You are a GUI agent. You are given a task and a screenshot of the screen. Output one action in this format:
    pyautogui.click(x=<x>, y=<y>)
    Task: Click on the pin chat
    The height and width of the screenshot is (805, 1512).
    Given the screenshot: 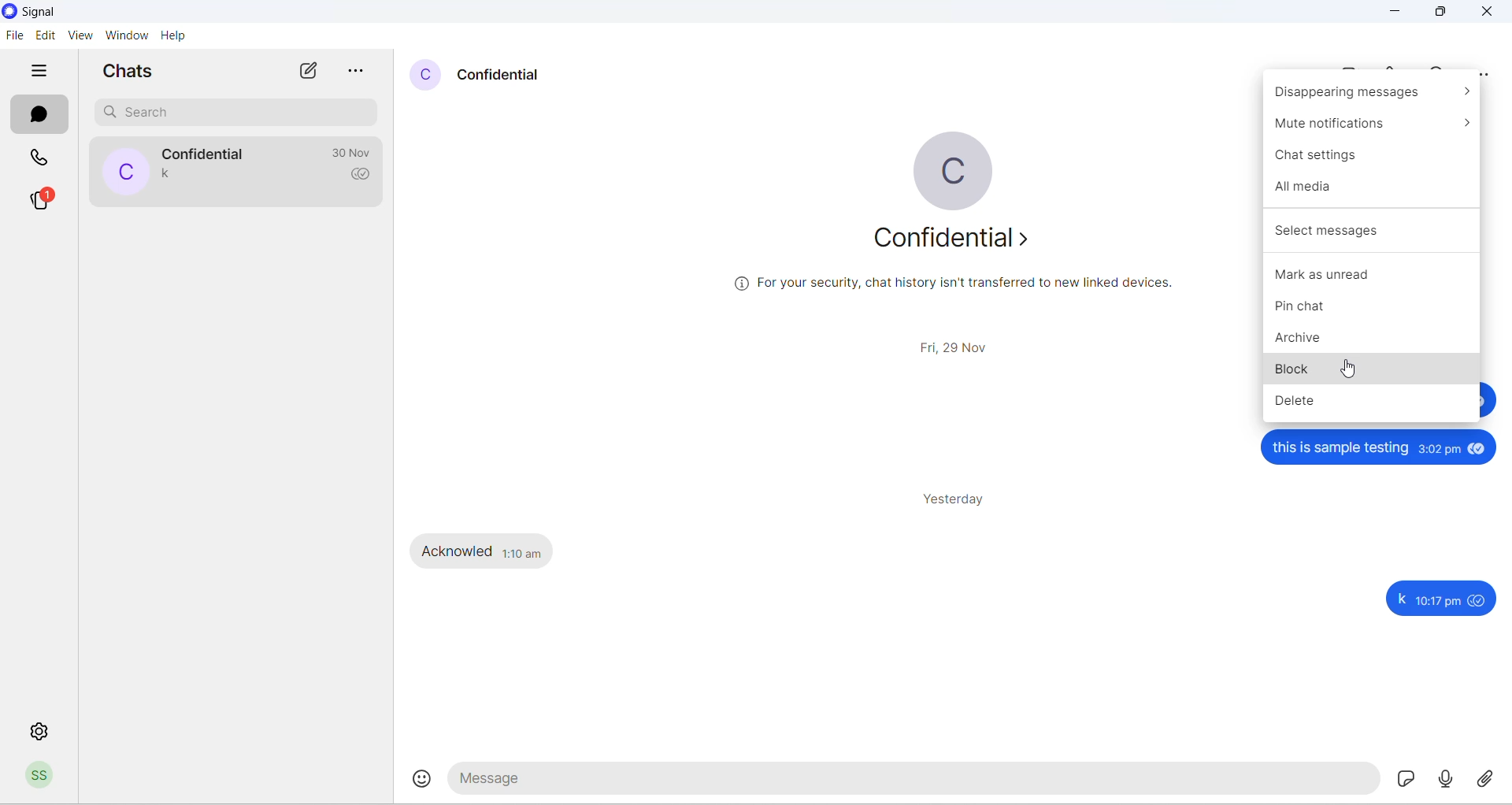 What is the action you would take?
    pyautogui.click(x=1377, y=310)
    